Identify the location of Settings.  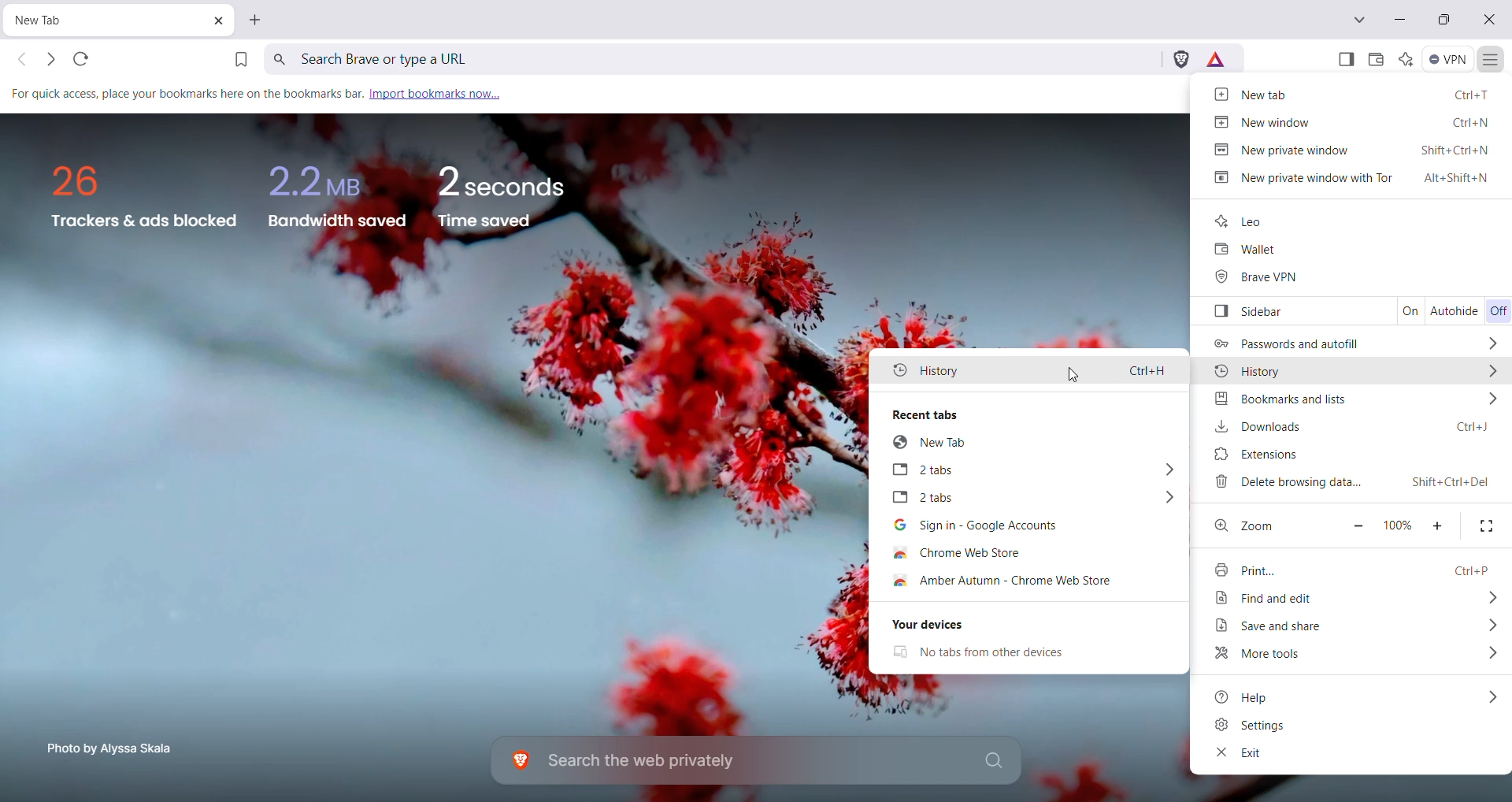
(1253, 725).